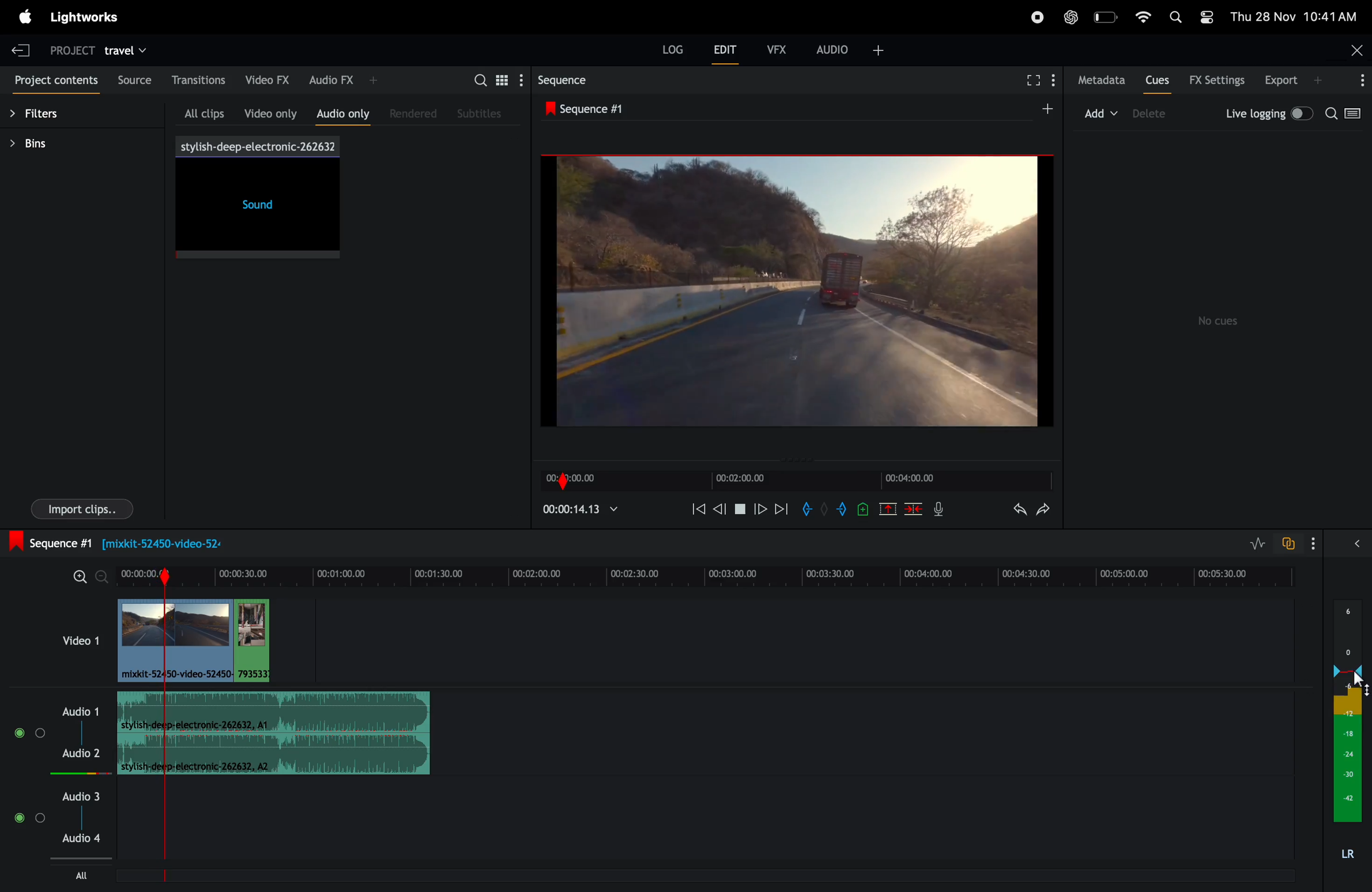  I want to click on apple meu, so click(25, 18).